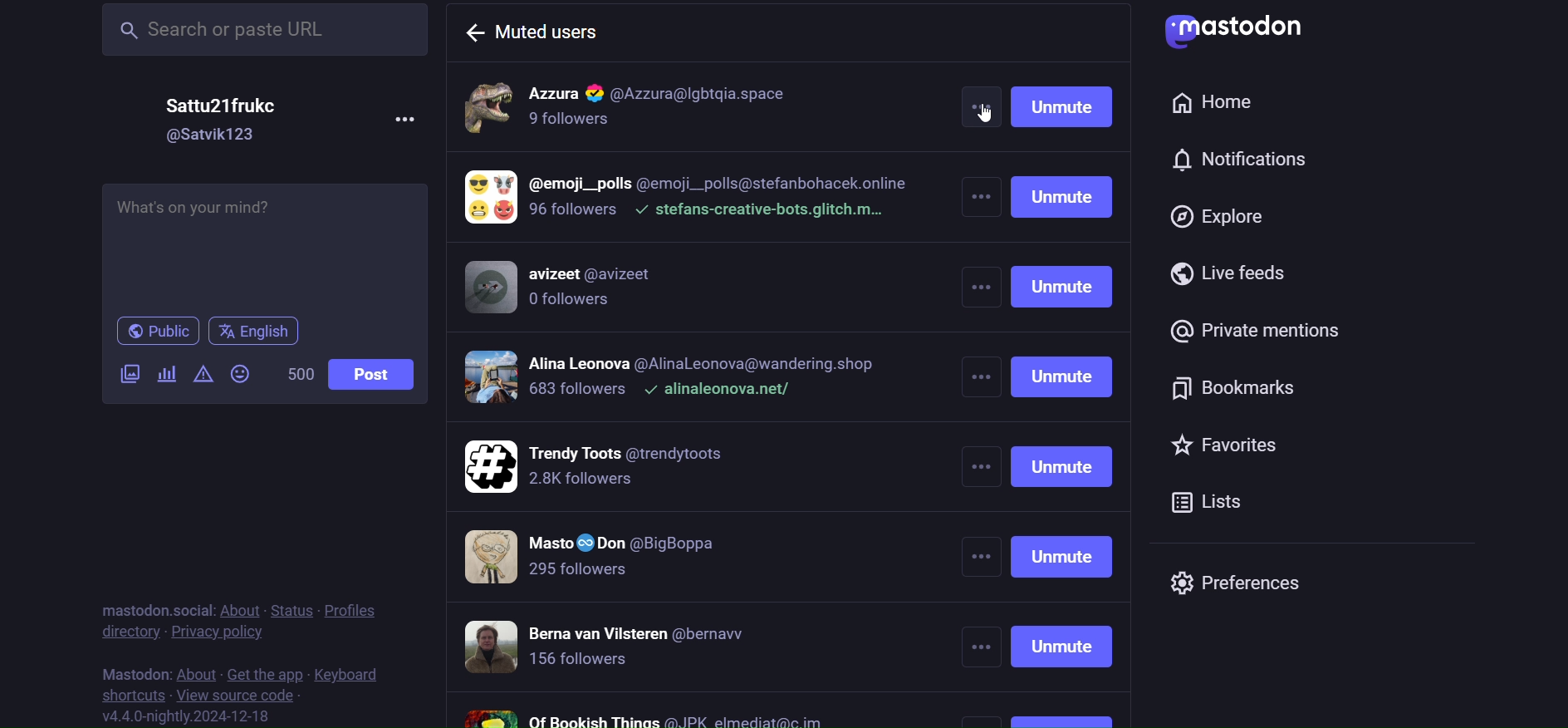  Describe the element at coordinates (1002, 114) in the screenshot. I see `cursor` at that location.